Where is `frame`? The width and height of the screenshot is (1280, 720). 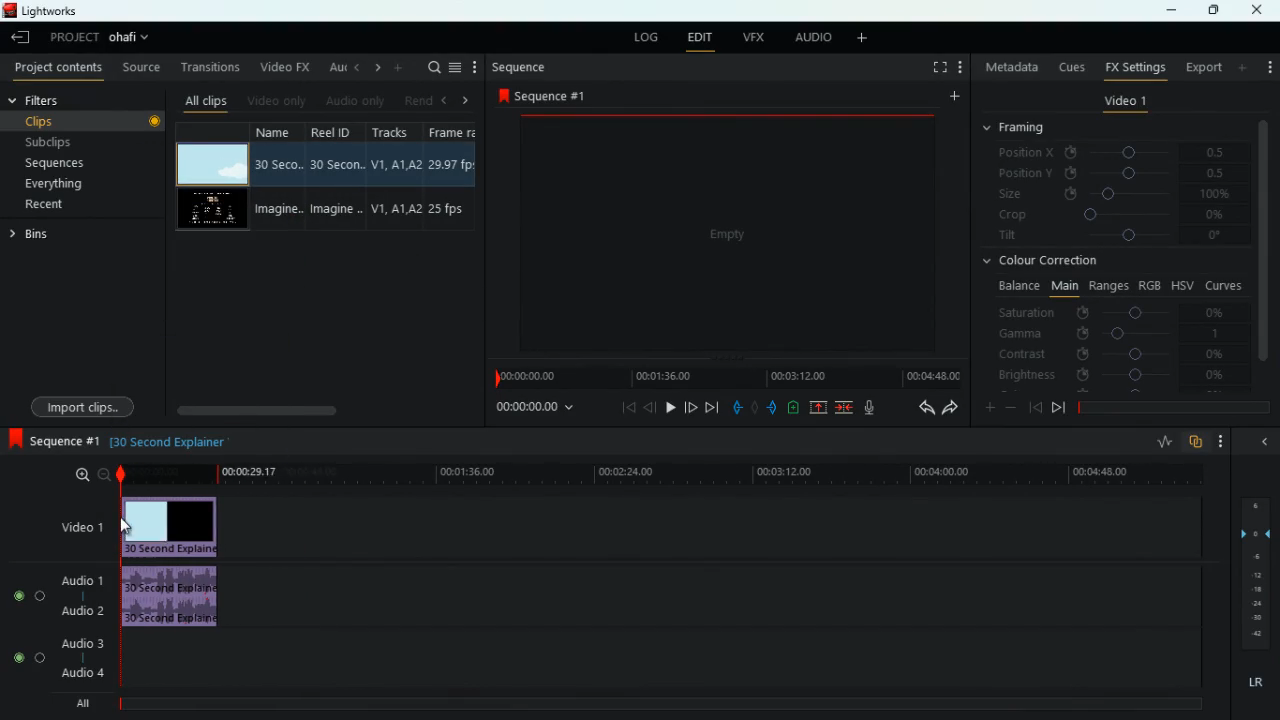
frame is located at coordinates (457, 131).